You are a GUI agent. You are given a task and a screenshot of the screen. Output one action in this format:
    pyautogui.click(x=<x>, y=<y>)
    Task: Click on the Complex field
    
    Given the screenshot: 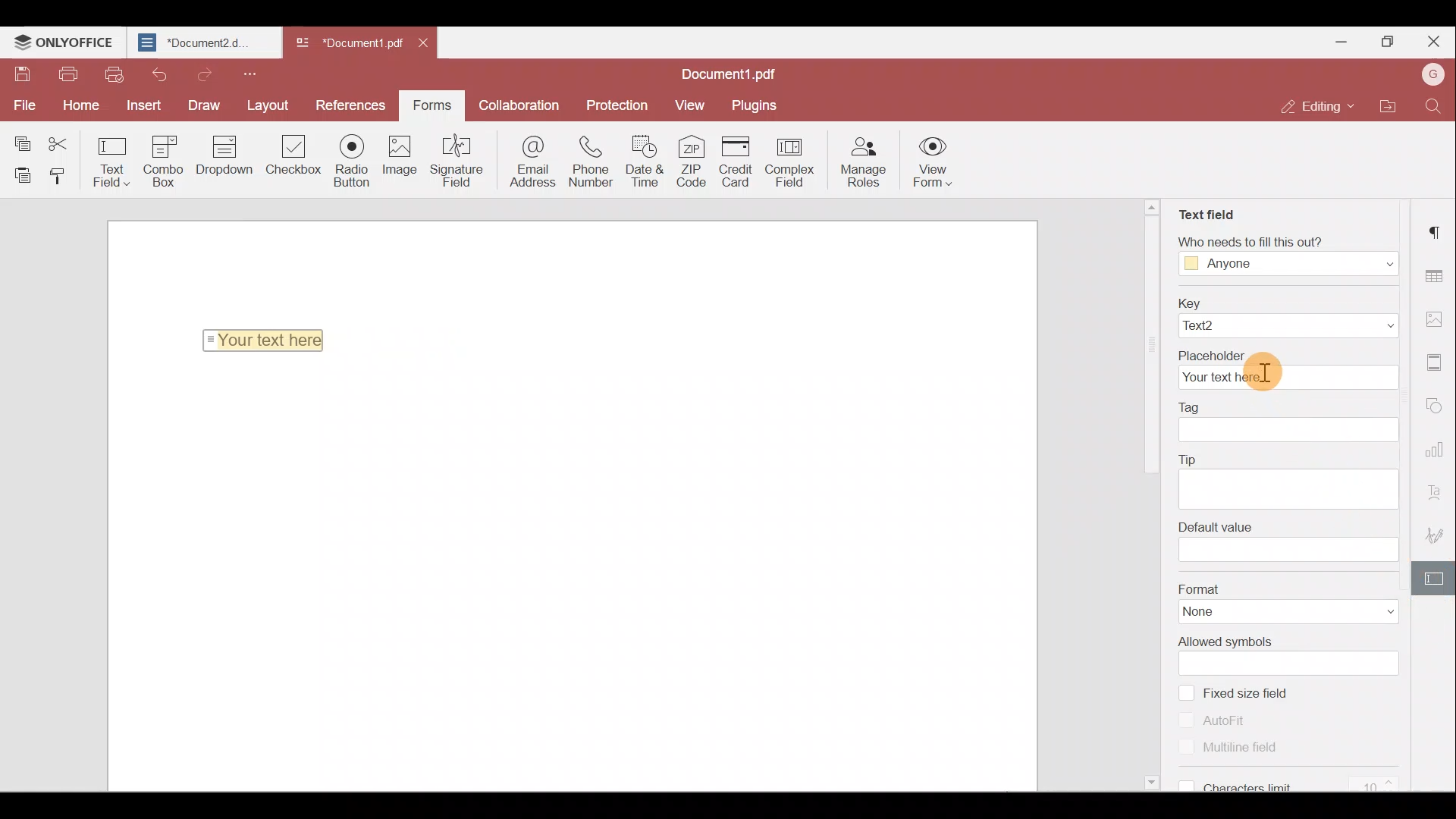 What is the action you would take?
    pyautogui.click(x=795, y=161)
    